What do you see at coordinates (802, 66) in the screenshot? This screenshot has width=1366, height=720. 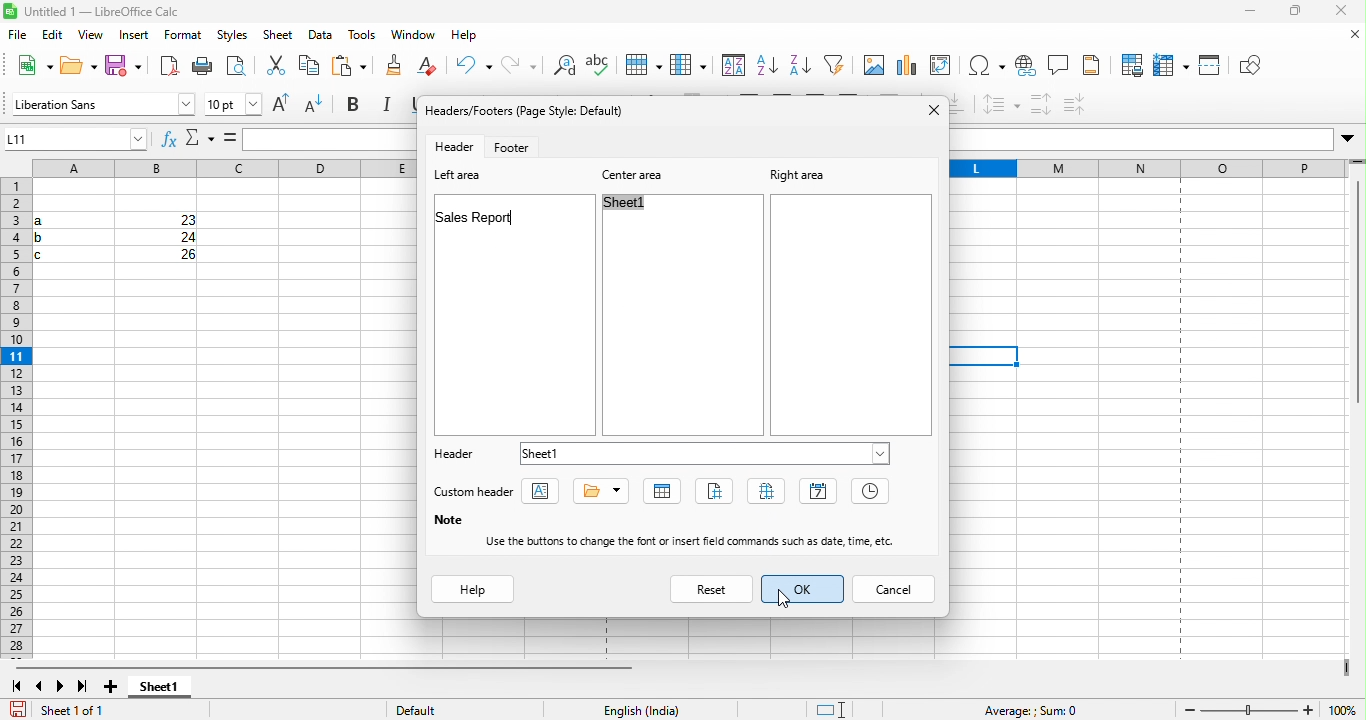 I see `auto filter` at bounding box center [802, 66].